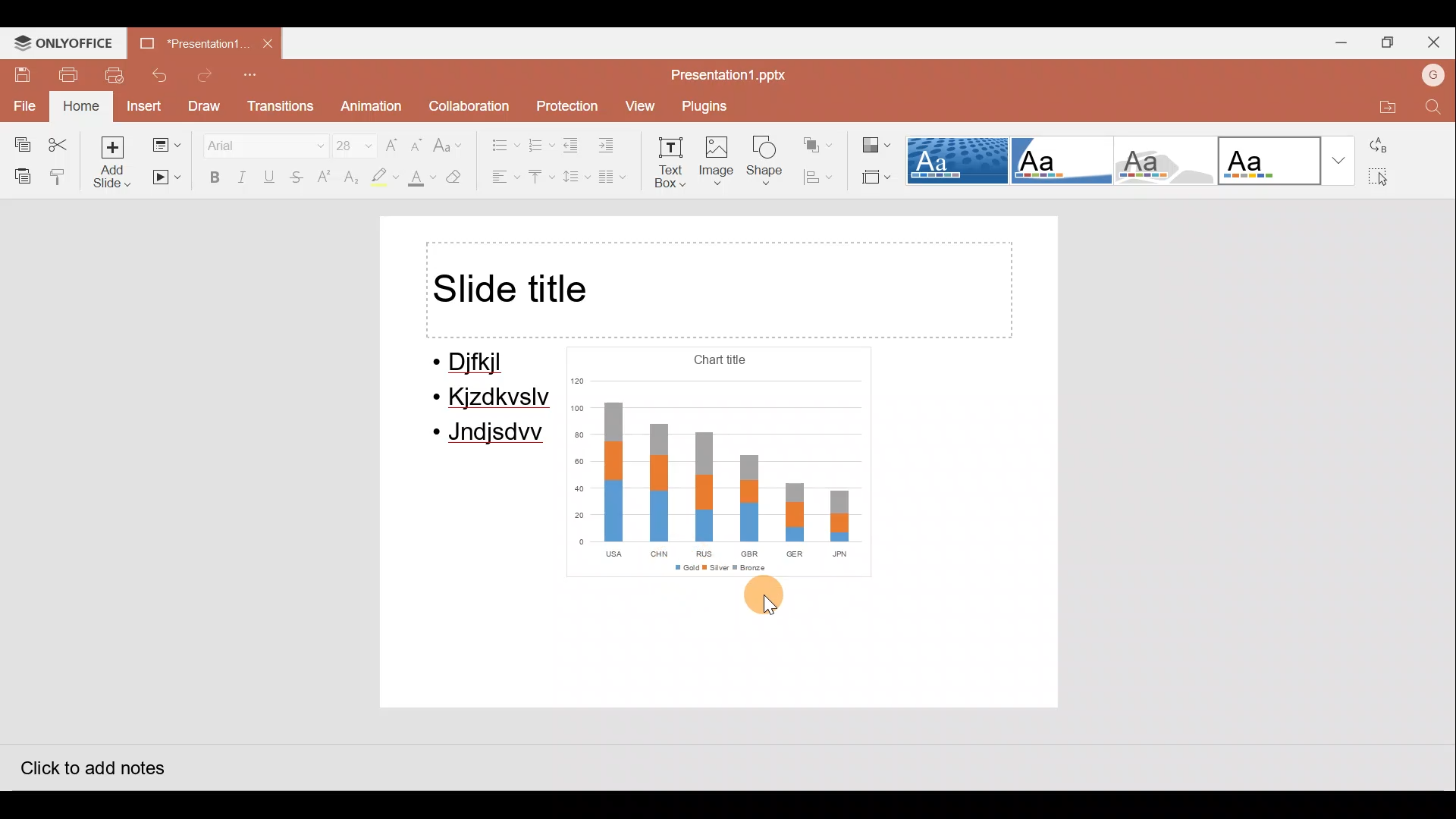 This screenshot has width=1456, height=819. I want to click on Account name, so click(1429, 74).